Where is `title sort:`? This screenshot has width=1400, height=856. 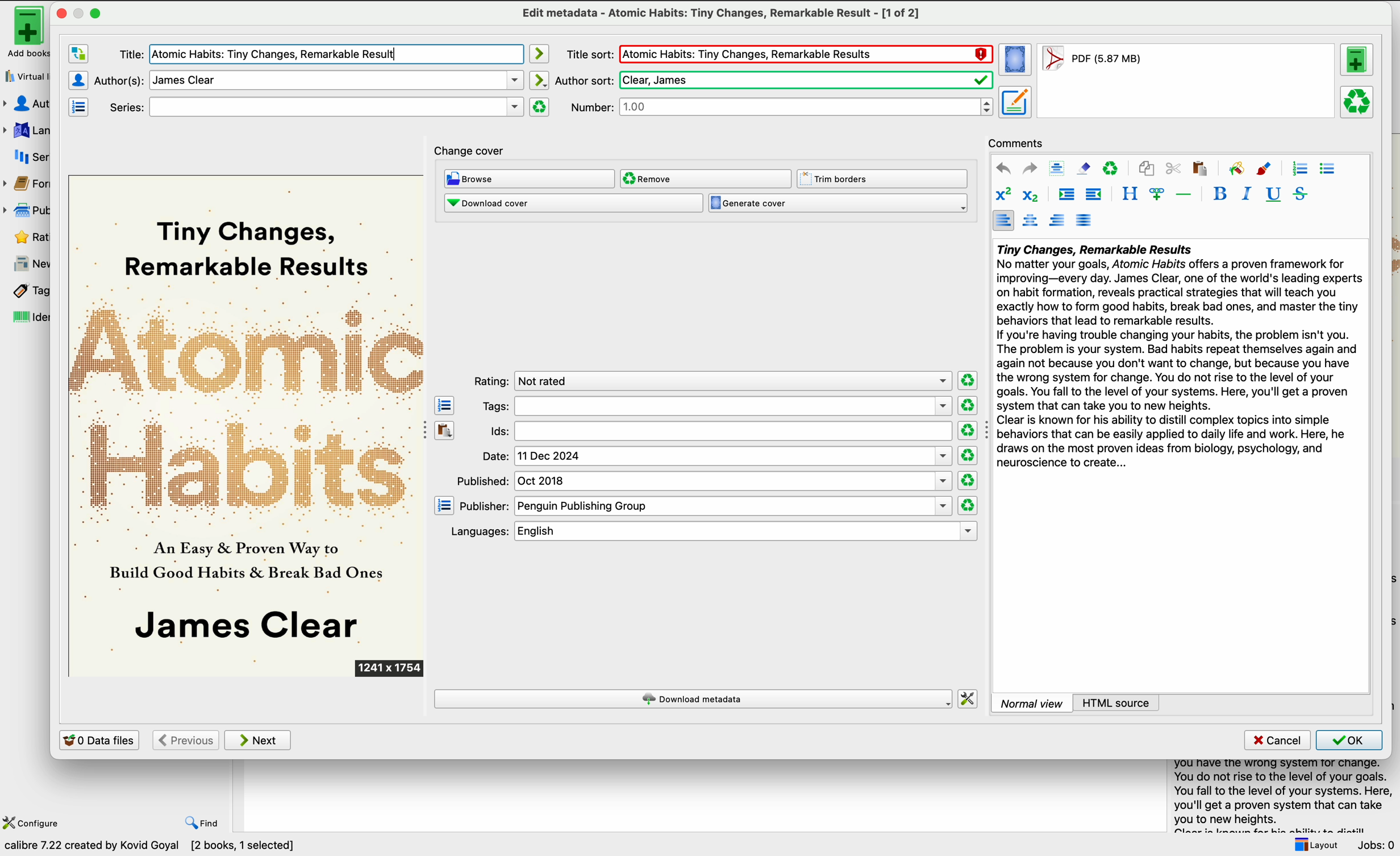 title sort: is located at coordinates (589, 54).